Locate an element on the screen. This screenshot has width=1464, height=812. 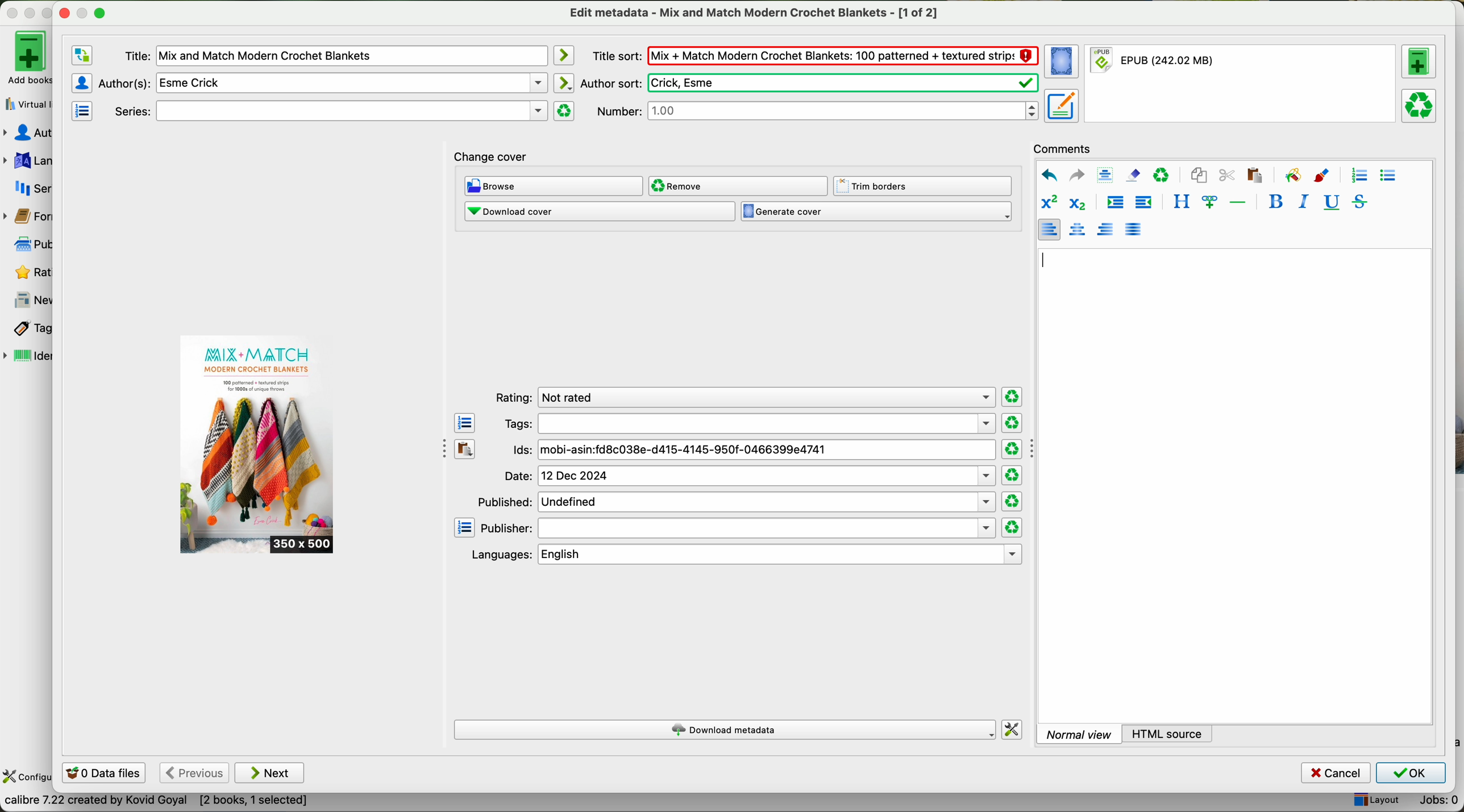
HTML source is located at coordinates (1168, 733).